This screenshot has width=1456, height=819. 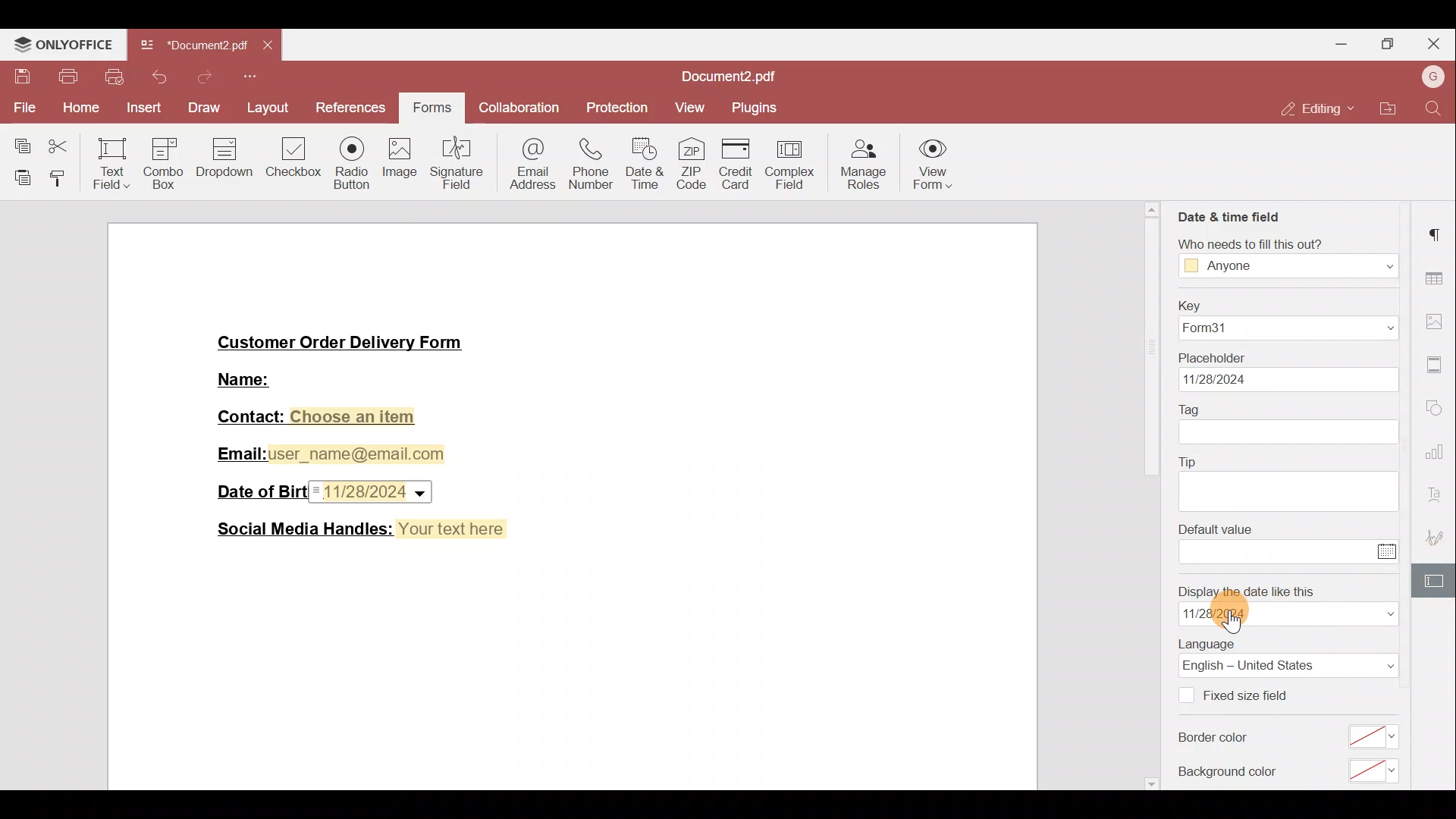 What do you see at coordinates (202, 107) in the screenshot?
I see `Draw` at bounding box center [202, 107].